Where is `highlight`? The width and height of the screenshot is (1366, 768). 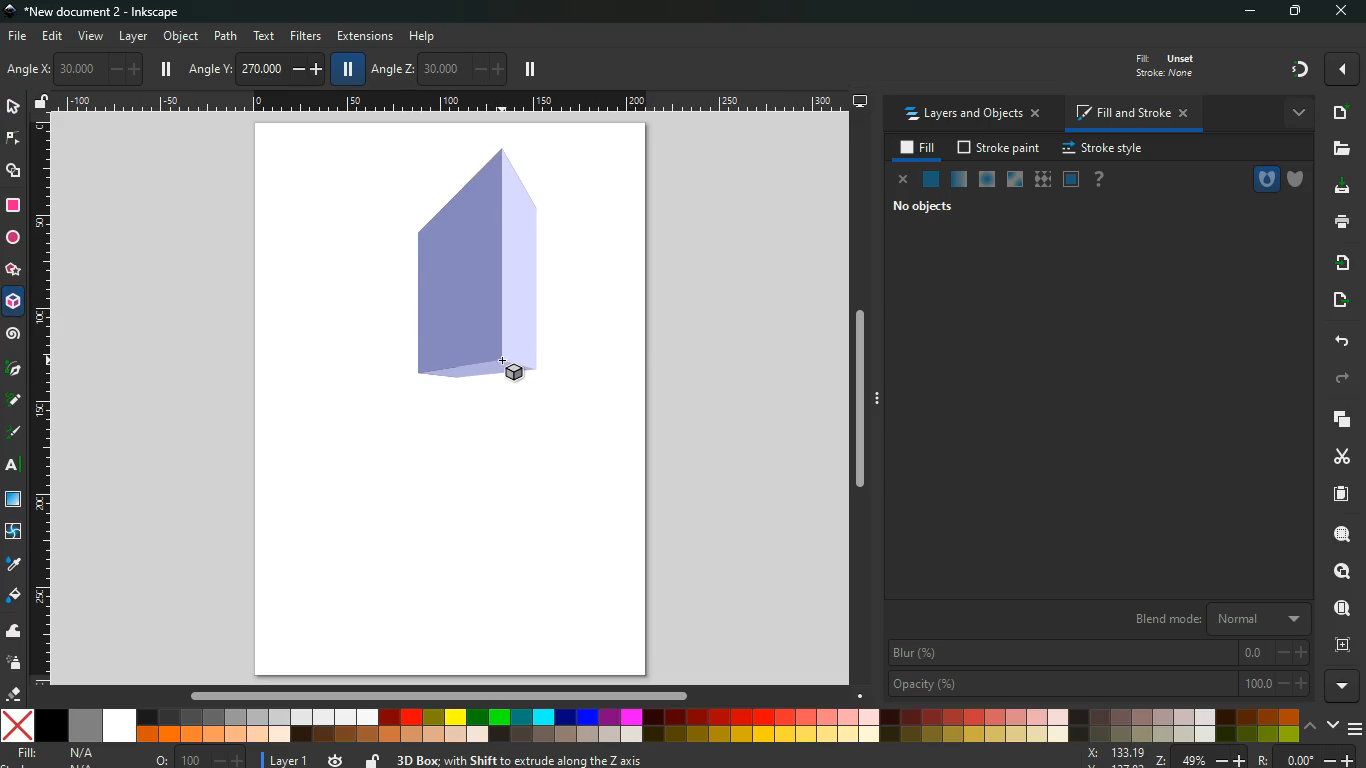 highlight is located at coordinates (14, 434).